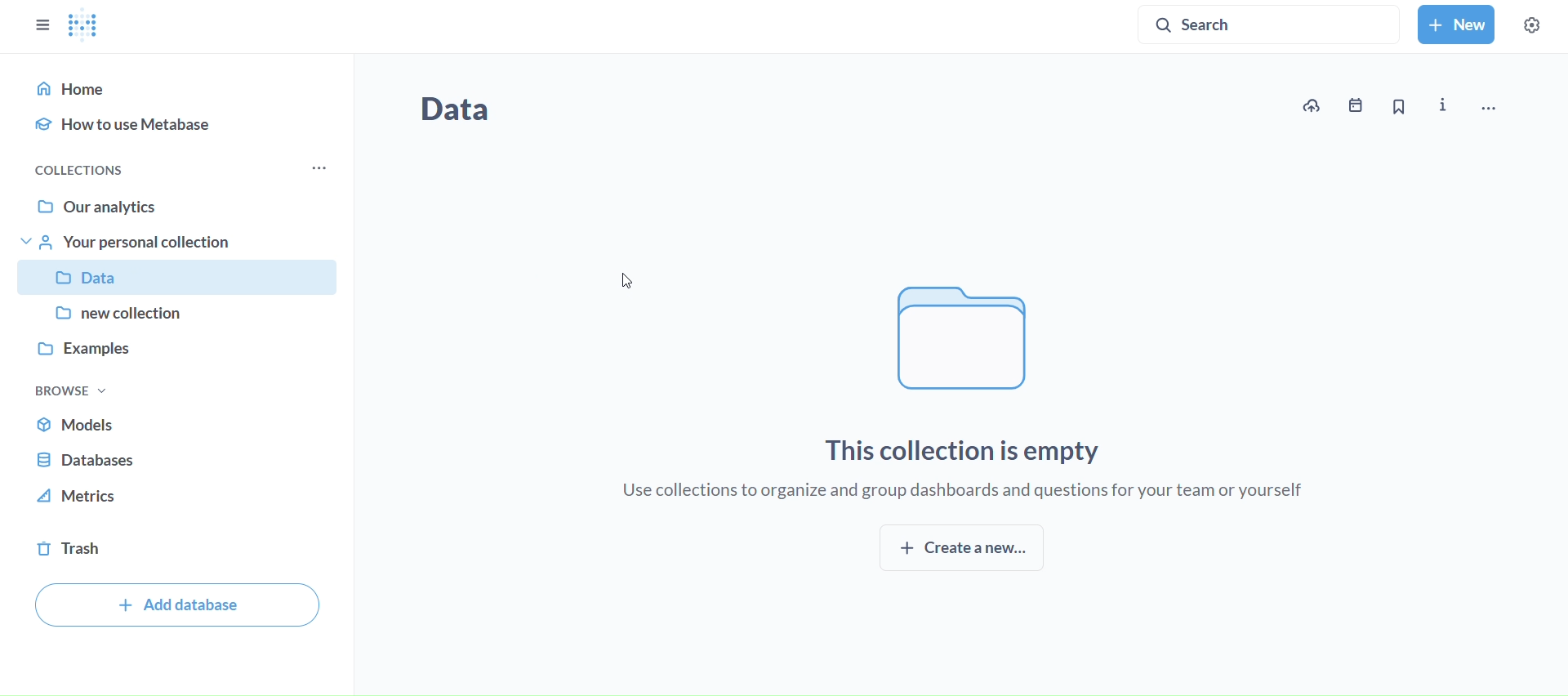  Describe the element at coordinates (629, 282) in the screenshot. I see `cursor` at that location.